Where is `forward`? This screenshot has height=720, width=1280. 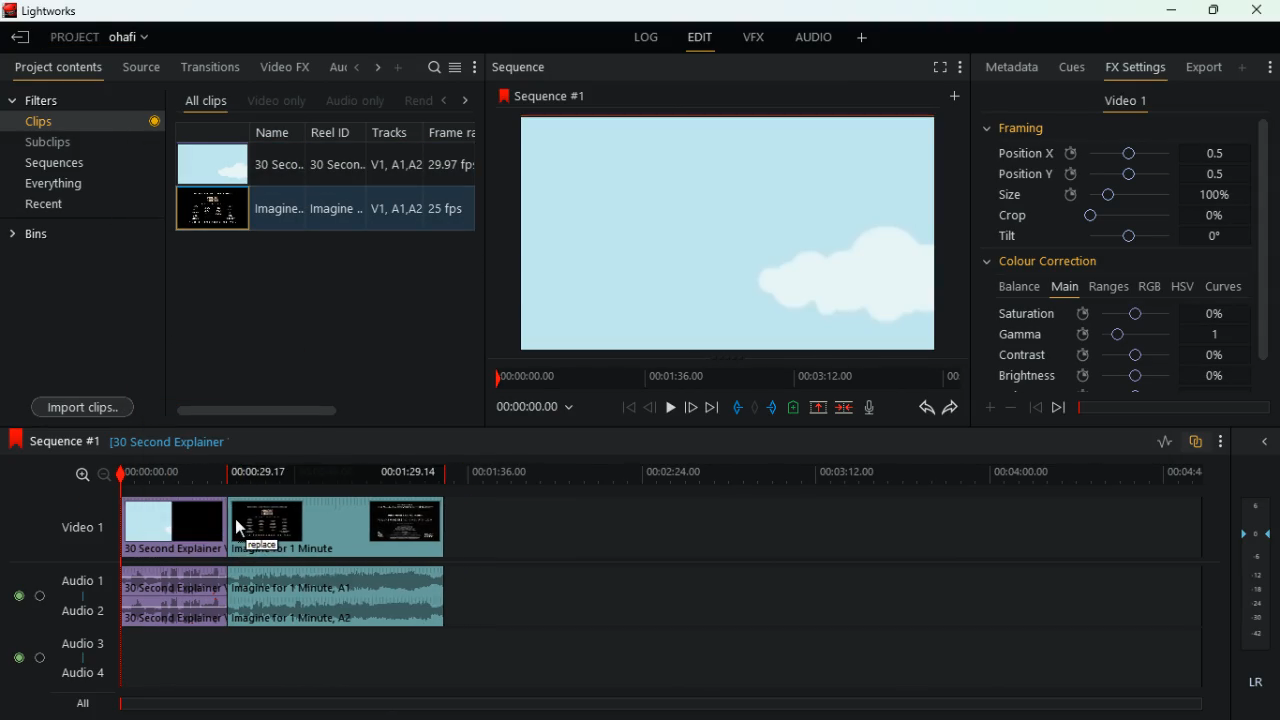 forward is located at coordinates (950, 409).